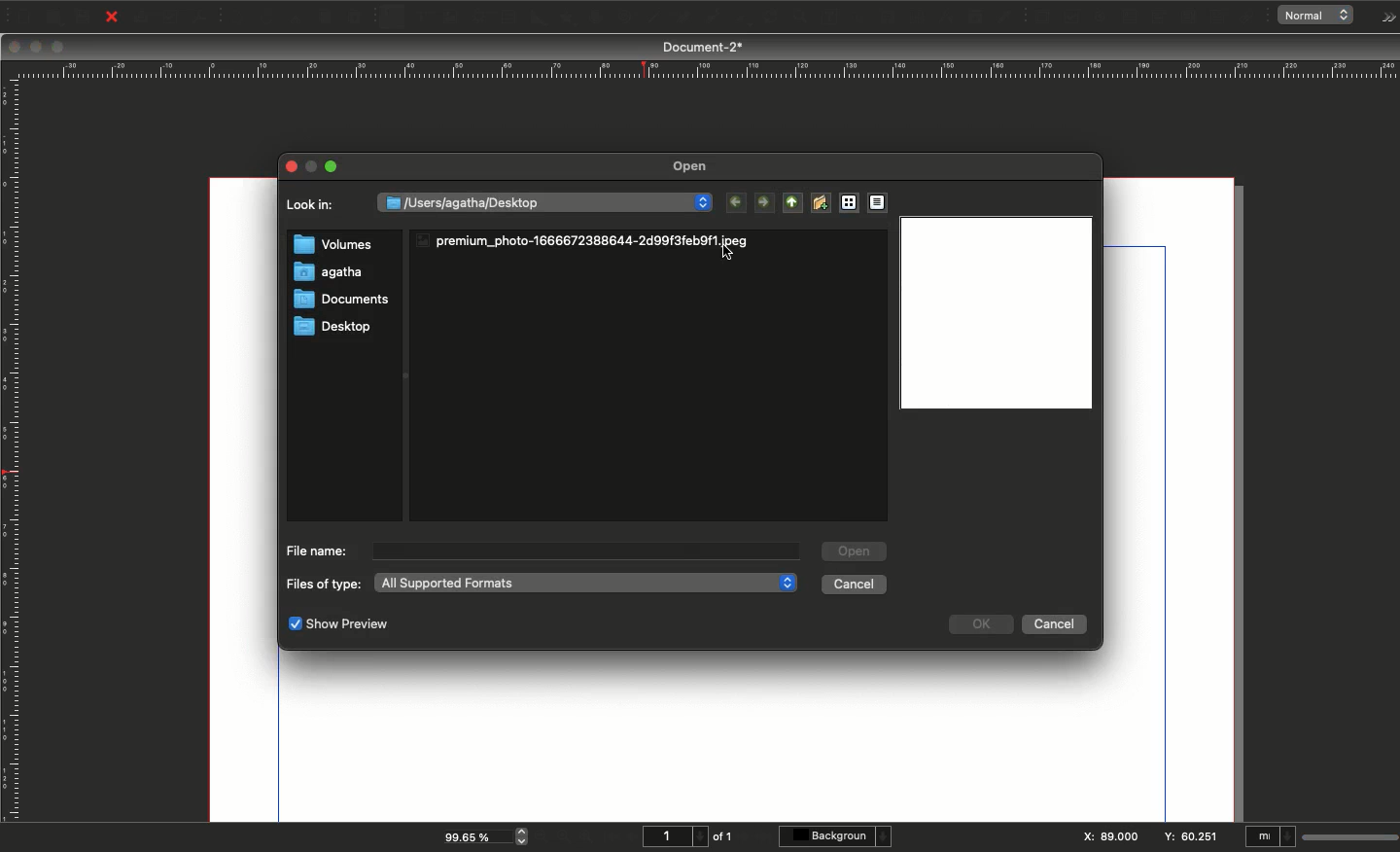  I want to click on X: 89.000, so click(1108, 837).